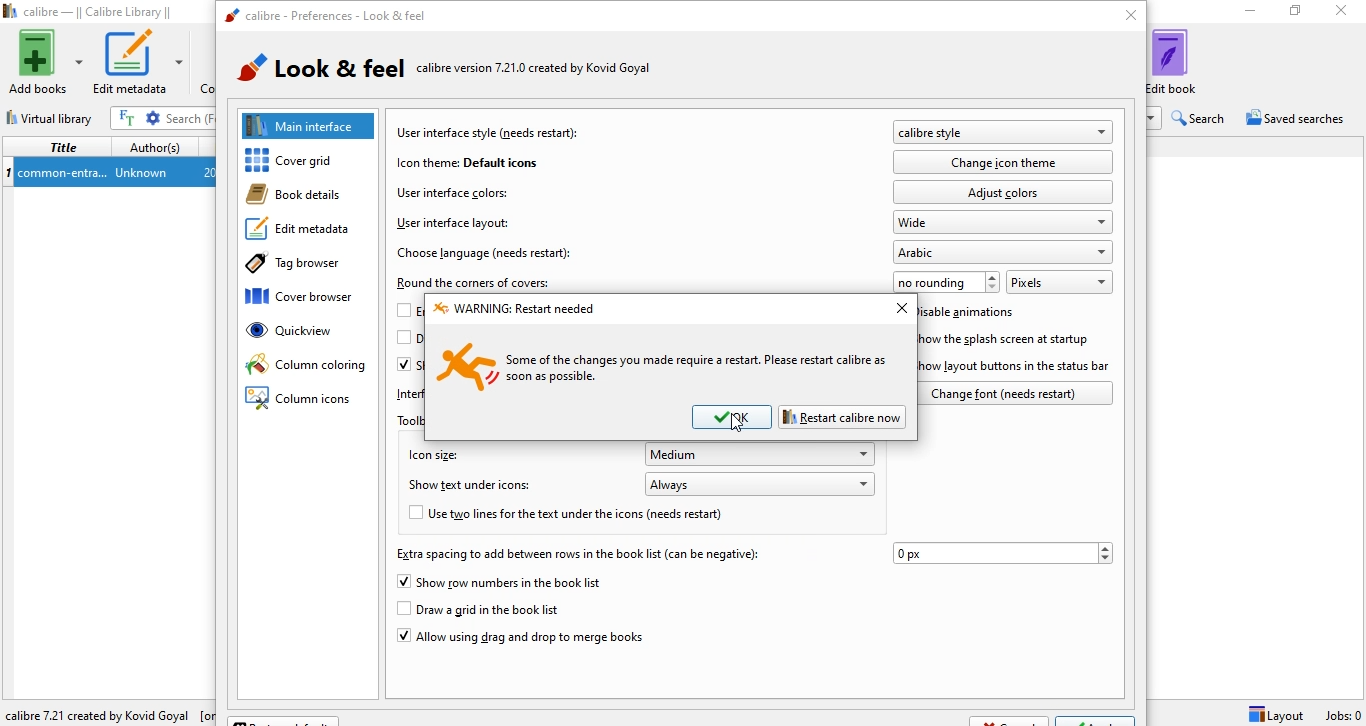 The height and width of the screenshot is (726, 1366). I want to click on Configure calibre, so click(106, 711).